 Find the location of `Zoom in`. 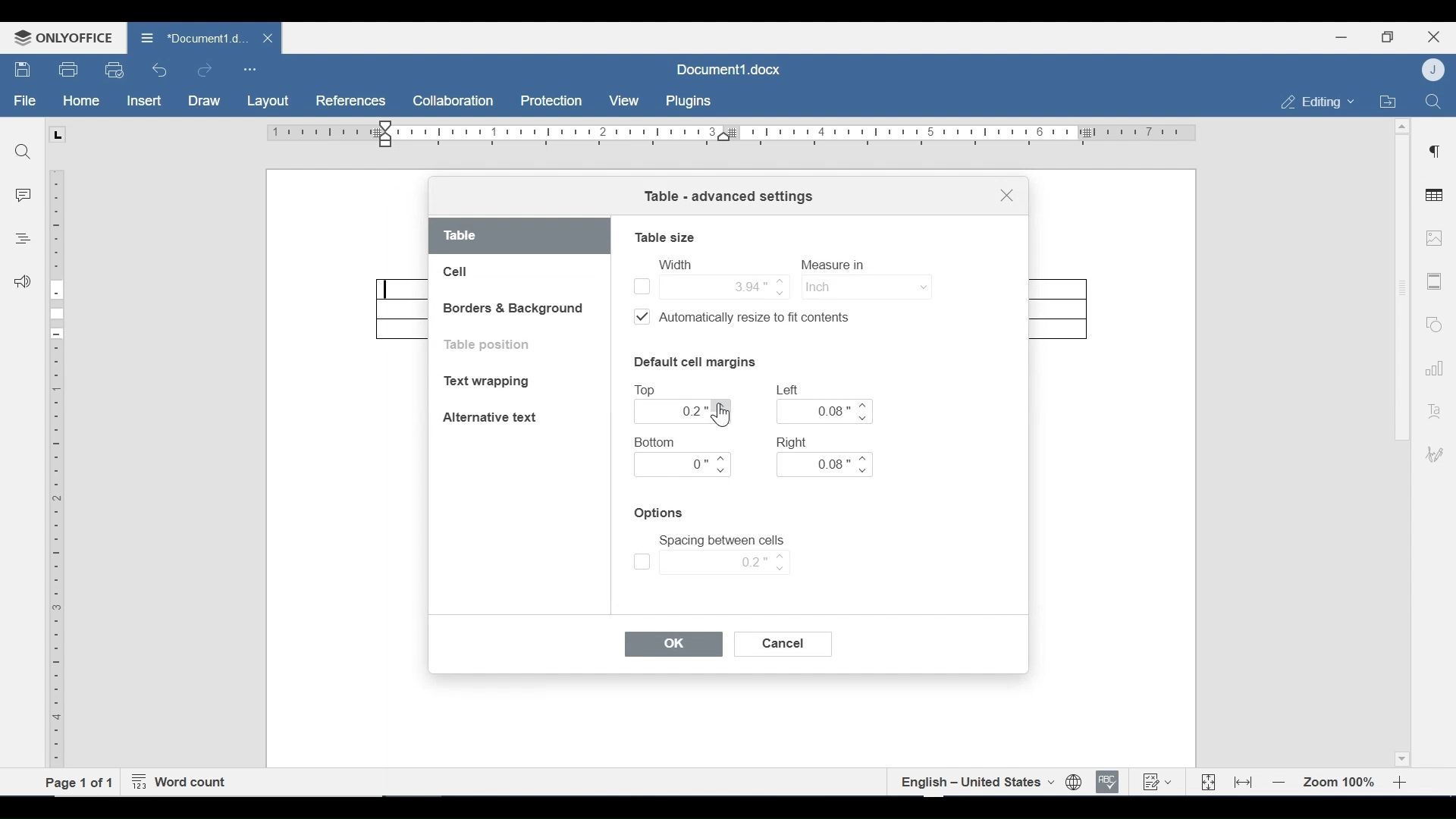

Zoom in is located at coordinates (1403, 783).